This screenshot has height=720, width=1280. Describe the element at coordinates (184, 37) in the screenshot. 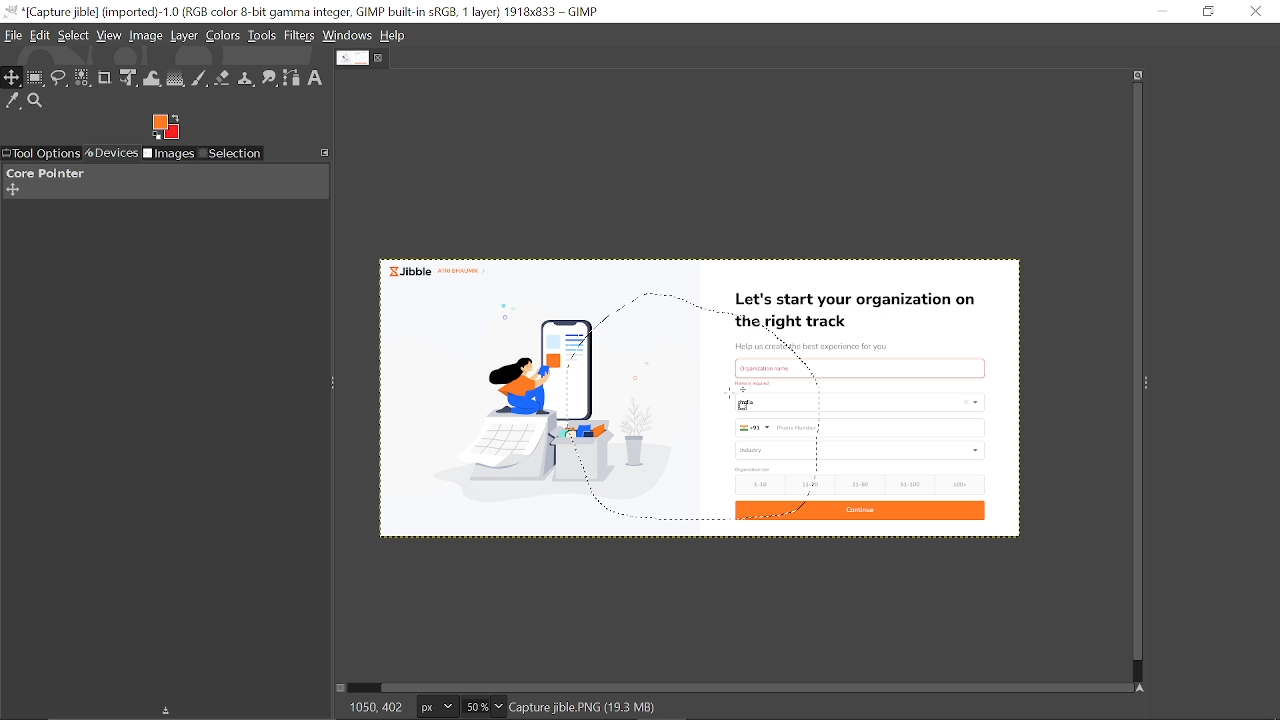

I see `Layer` at that location.